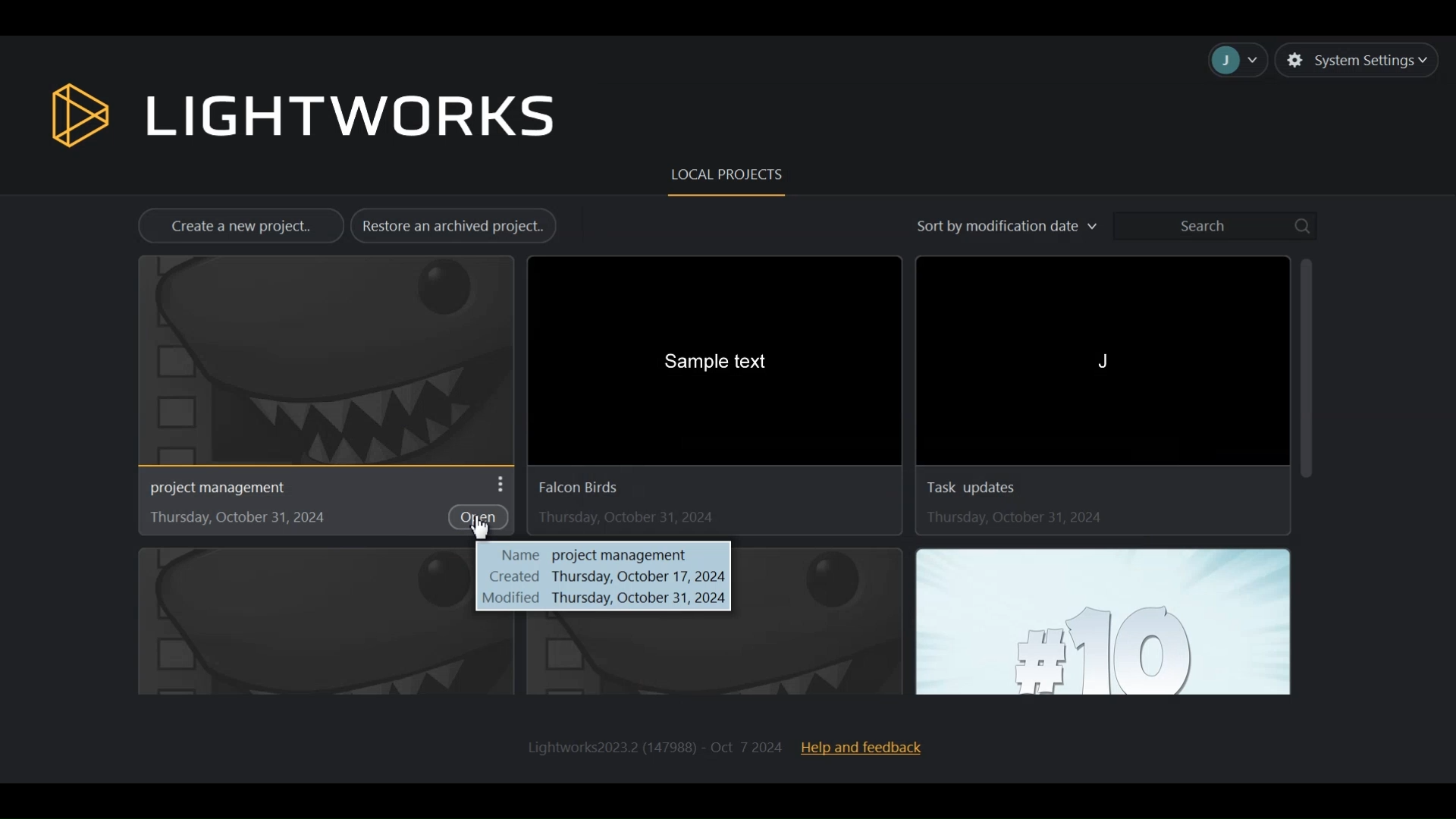  I want to click on created, so click(608, 577).